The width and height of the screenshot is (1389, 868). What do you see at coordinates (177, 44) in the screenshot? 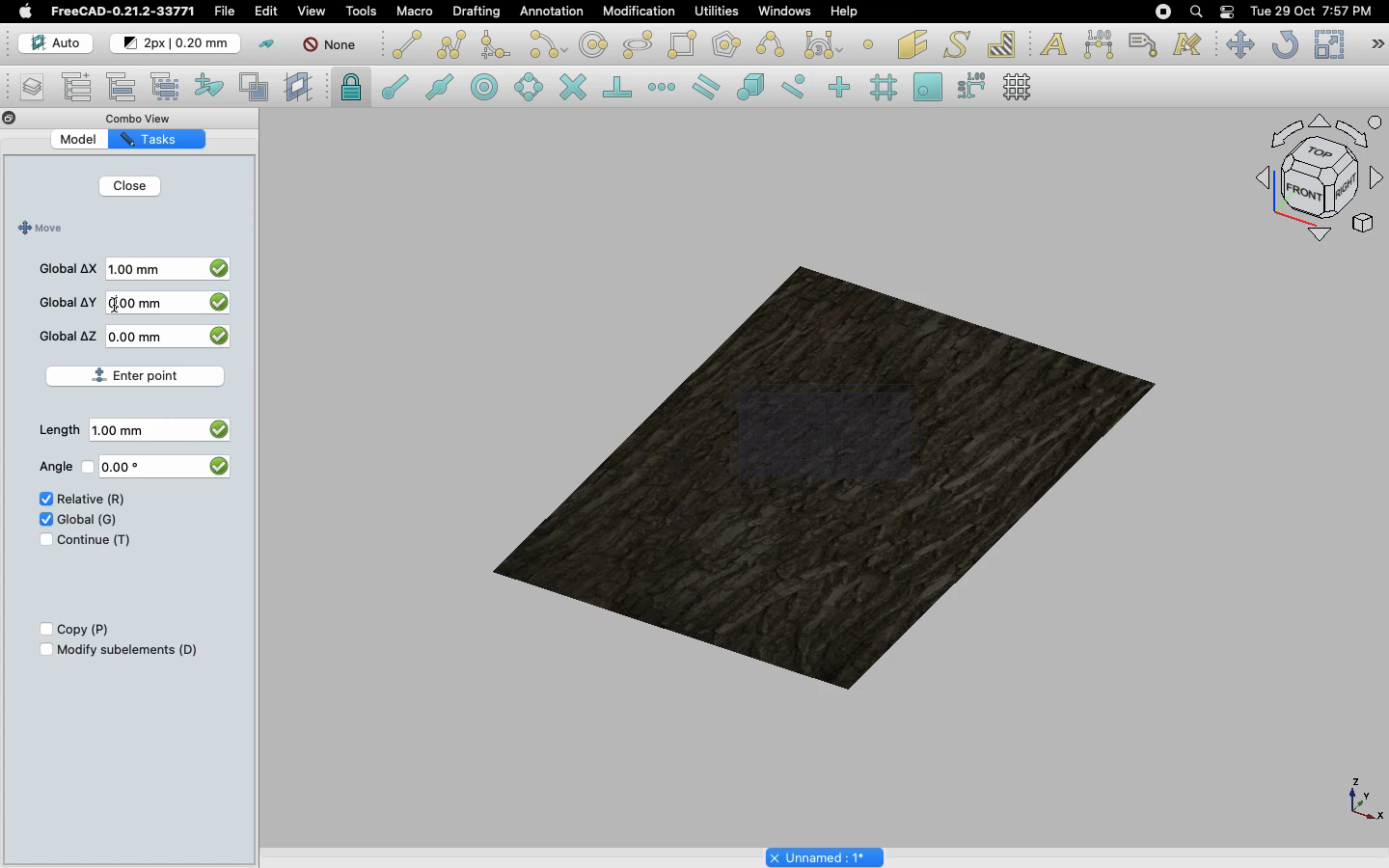
I see `Change default for new objects` at bounding box center [177, 44].